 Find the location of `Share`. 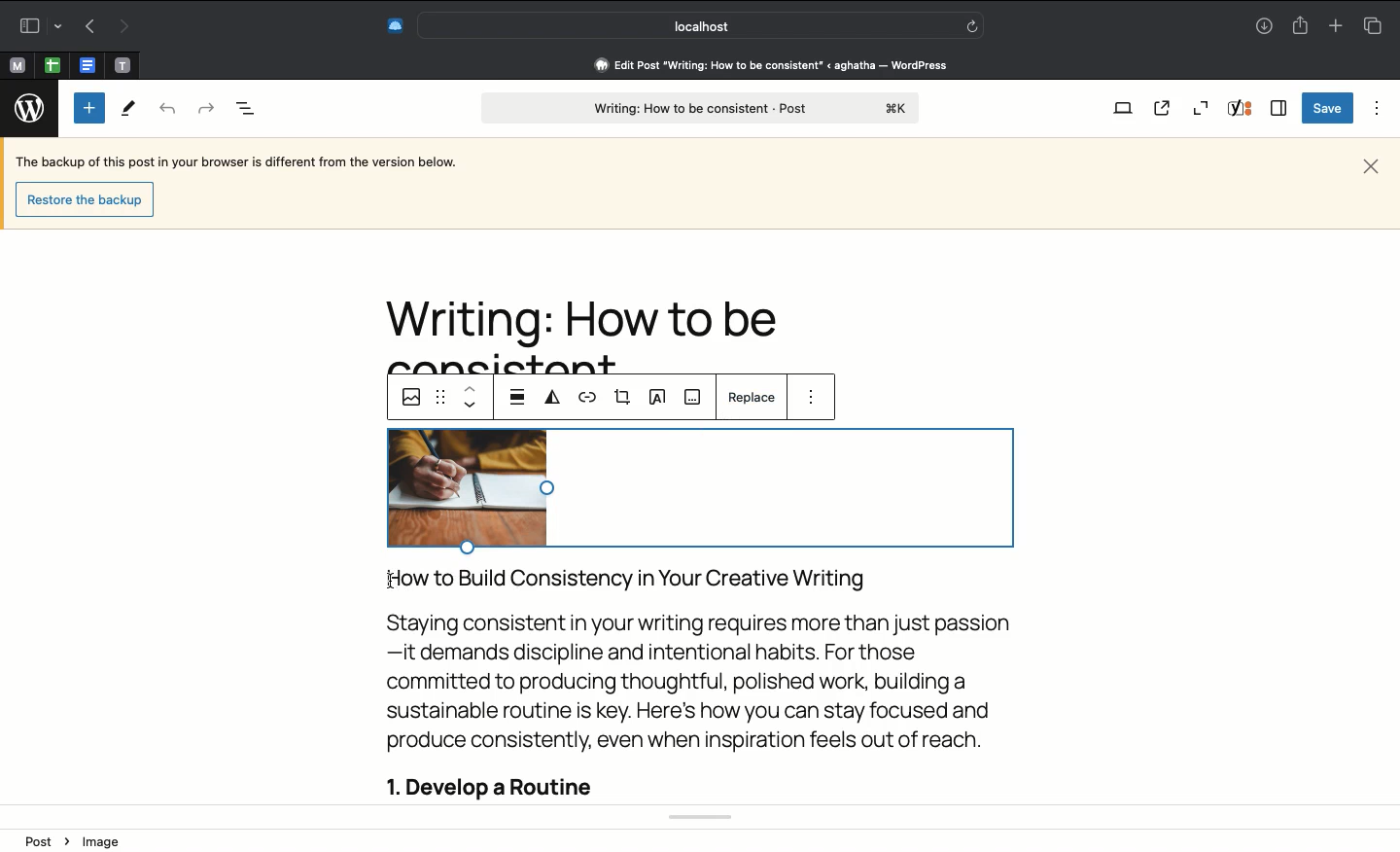

Share is located at coordinates (1302, 26).